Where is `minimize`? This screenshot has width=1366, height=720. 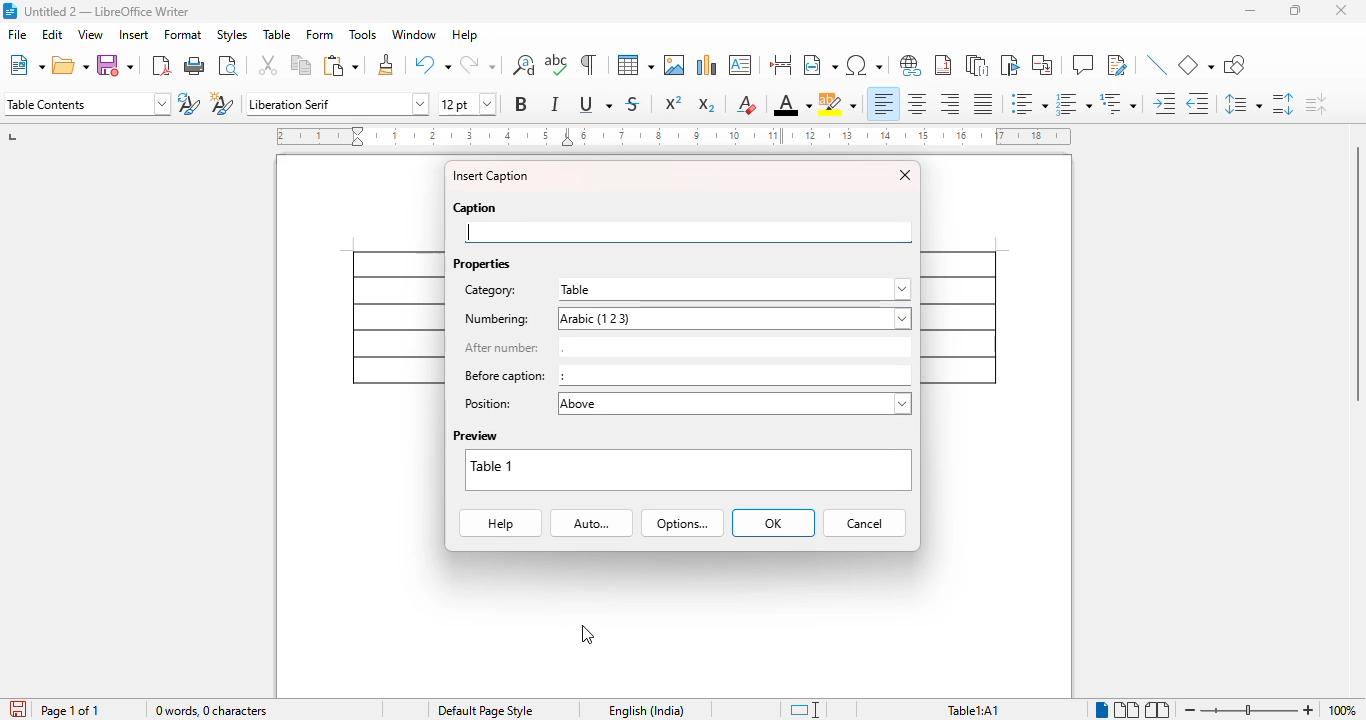
minimize is located at coordinates (1250, 10).